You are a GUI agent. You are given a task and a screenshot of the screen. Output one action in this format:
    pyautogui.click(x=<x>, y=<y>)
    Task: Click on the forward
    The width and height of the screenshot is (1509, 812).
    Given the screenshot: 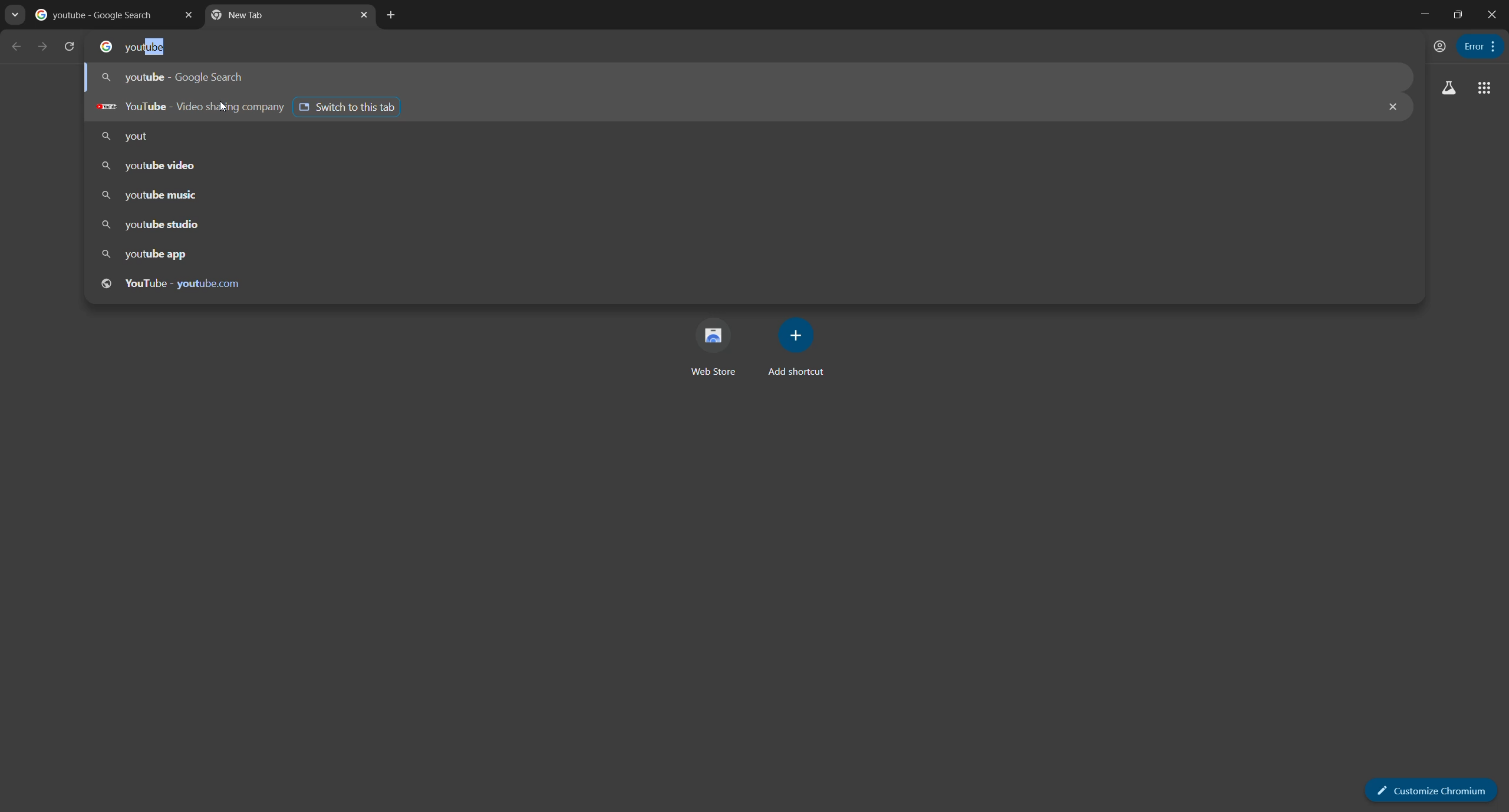 What is the action you would take?
    pyautogui.click(x=41, y=46)
    